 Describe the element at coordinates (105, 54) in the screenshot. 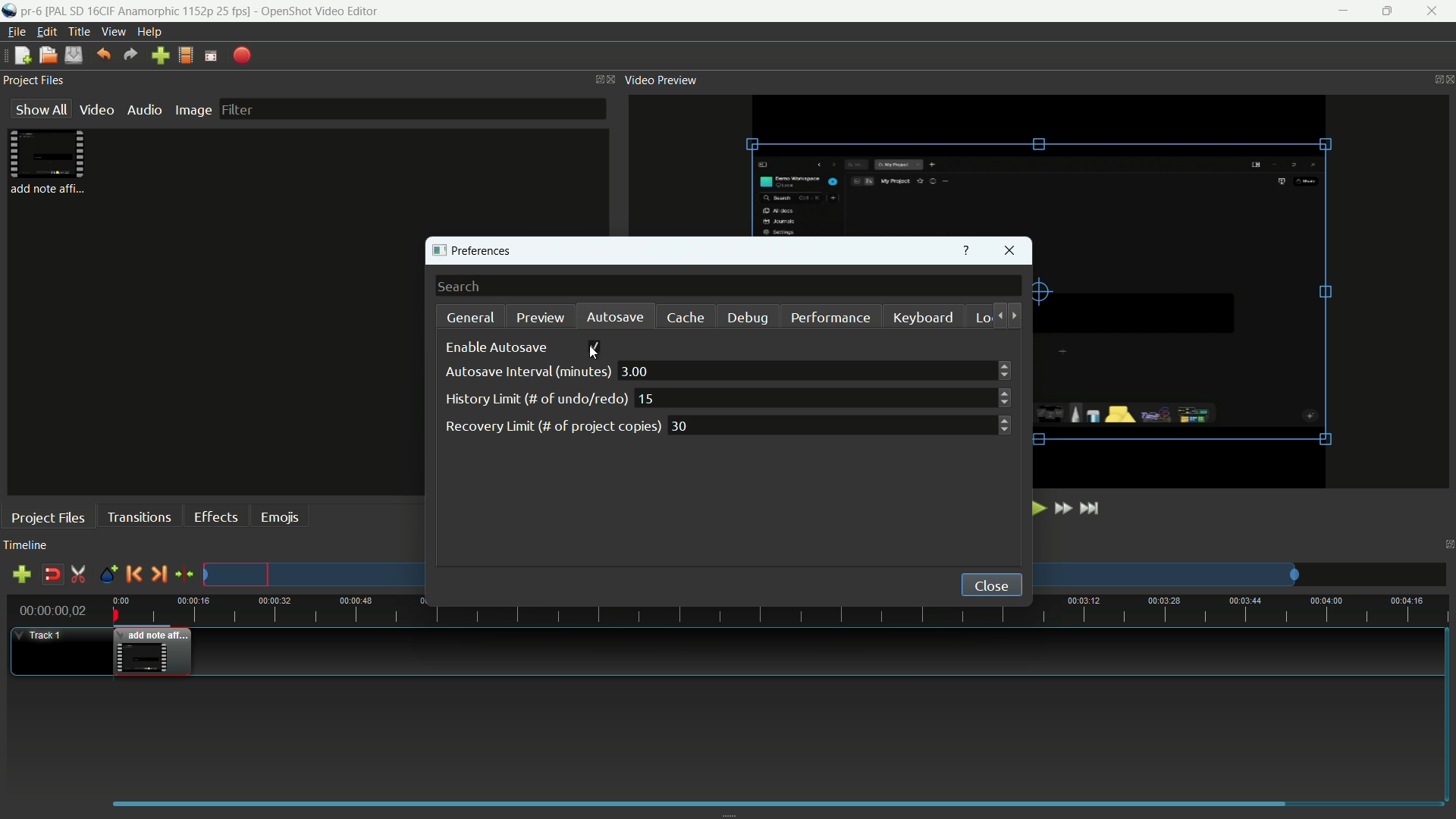

I see `undo` at that location.